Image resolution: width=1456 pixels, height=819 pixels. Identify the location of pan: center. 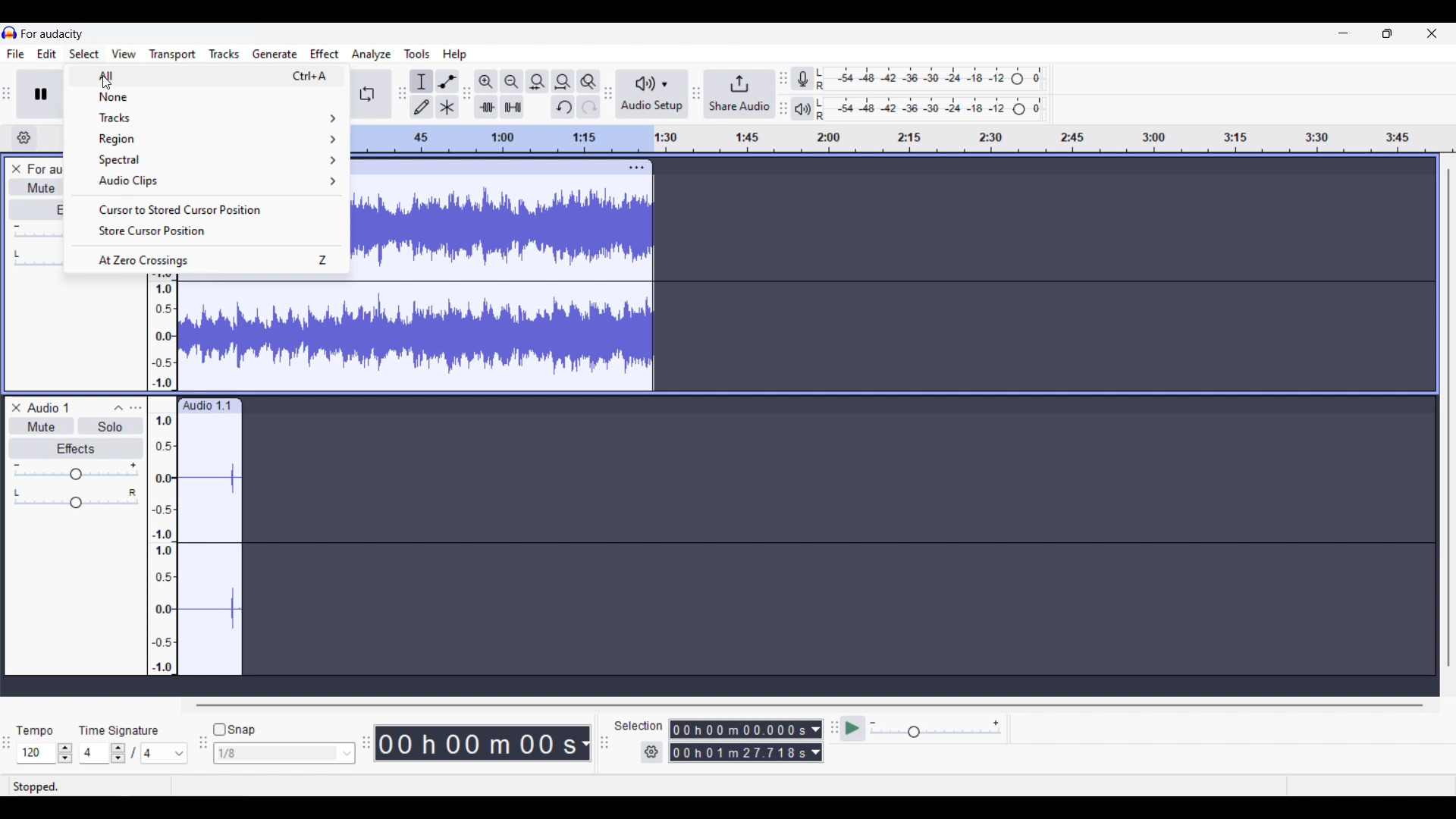
(77, 498).